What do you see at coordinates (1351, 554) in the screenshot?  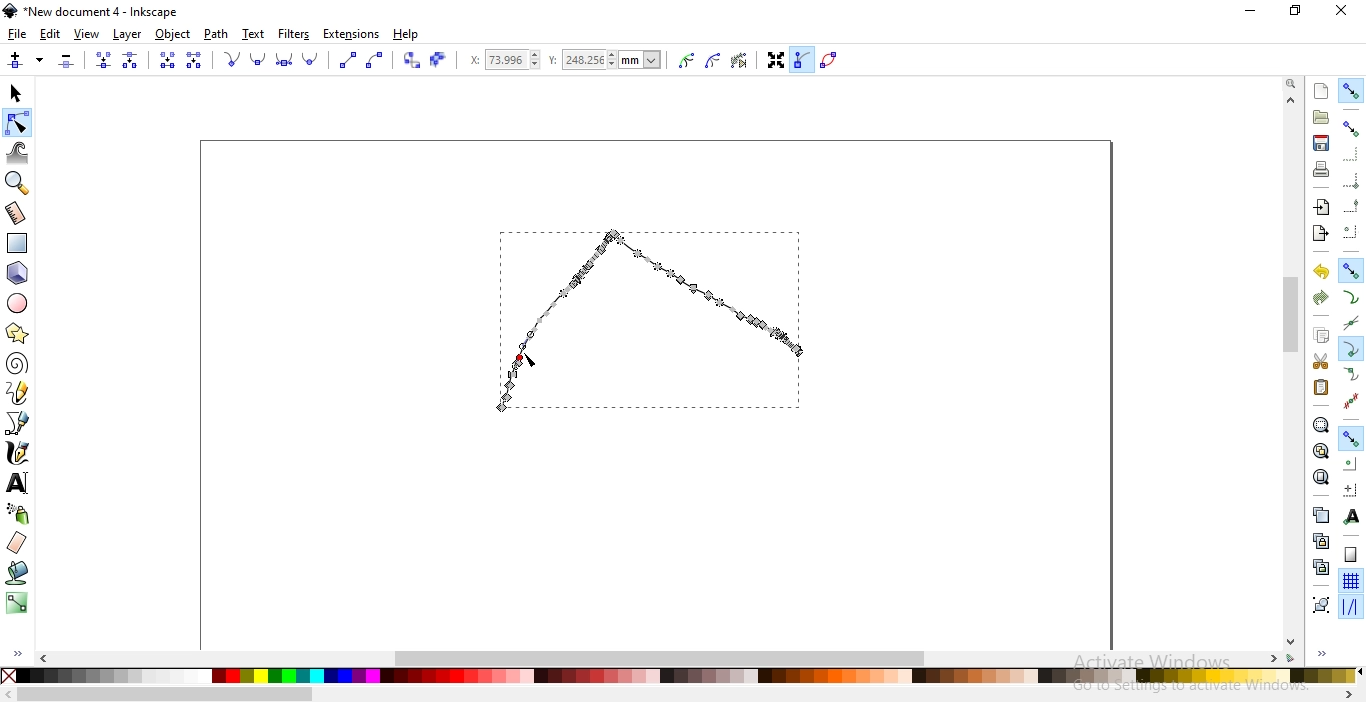 I see `` at bounding box center [1351, 554].